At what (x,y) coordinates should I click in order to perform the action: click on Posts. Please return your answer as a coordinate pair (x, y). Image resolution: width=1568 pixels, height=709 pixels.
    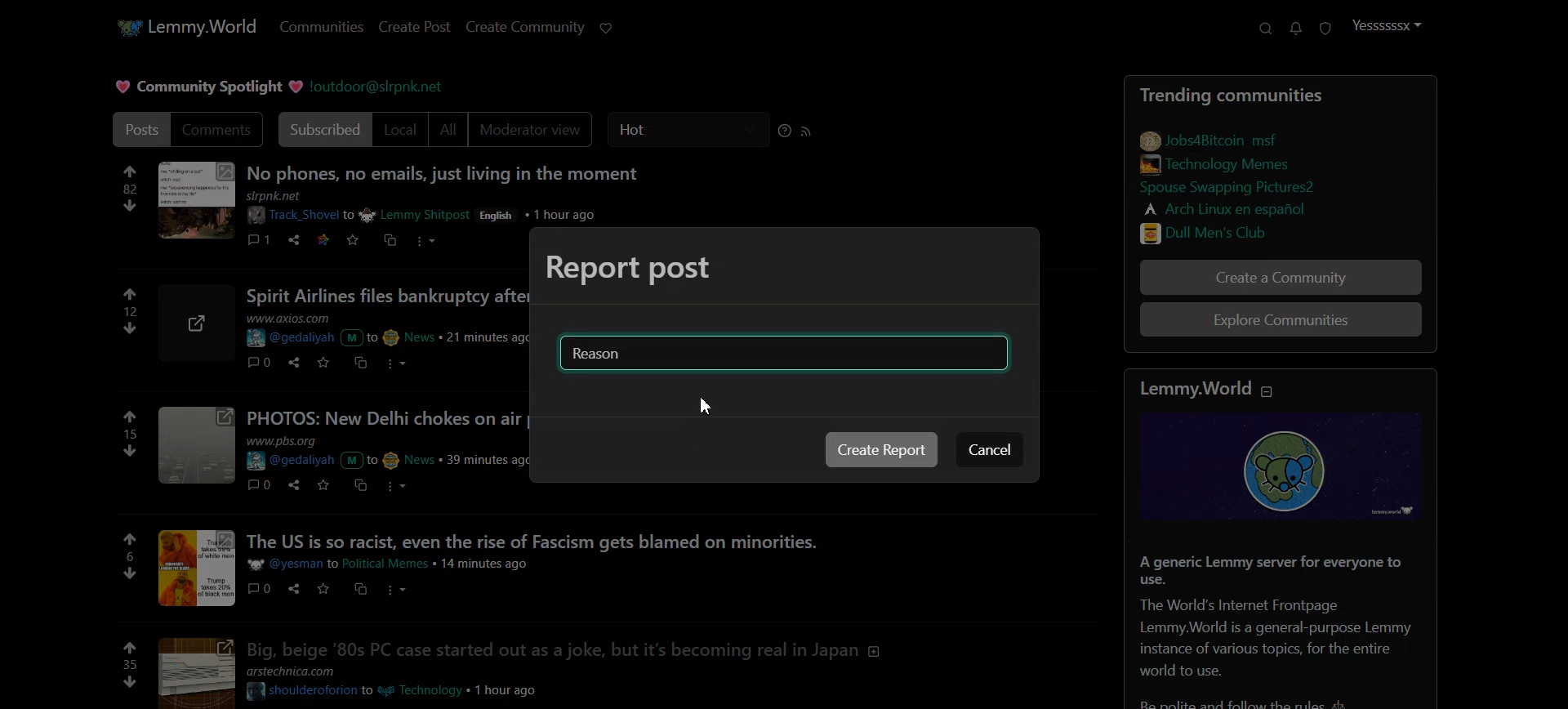
    Looking at the image, I should click on (446, 170).